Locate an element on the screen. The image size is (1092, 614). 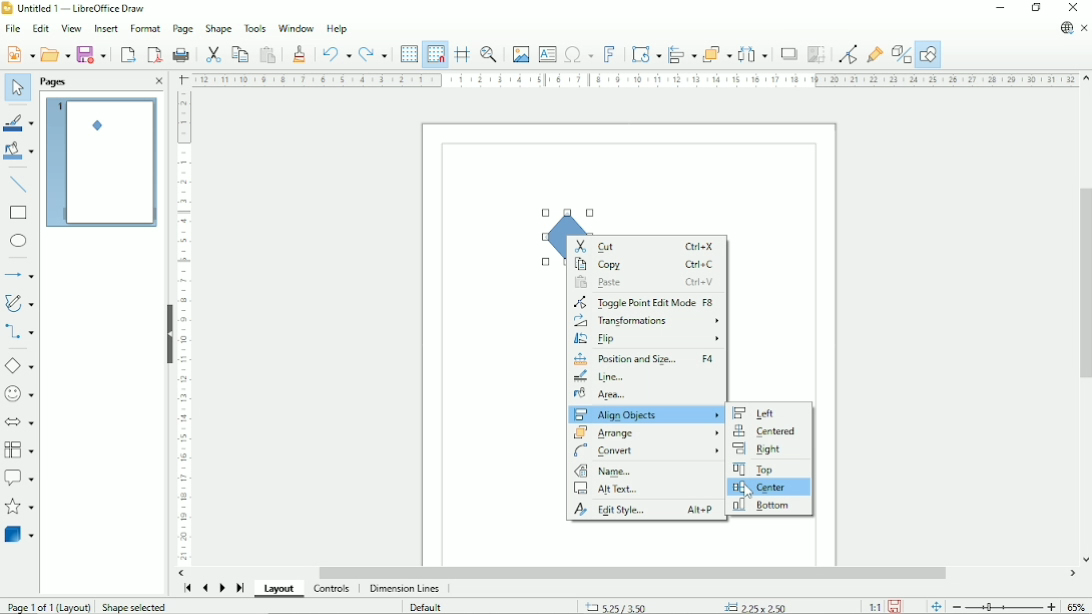
Basic shapes is located at coordinates (21, 366).